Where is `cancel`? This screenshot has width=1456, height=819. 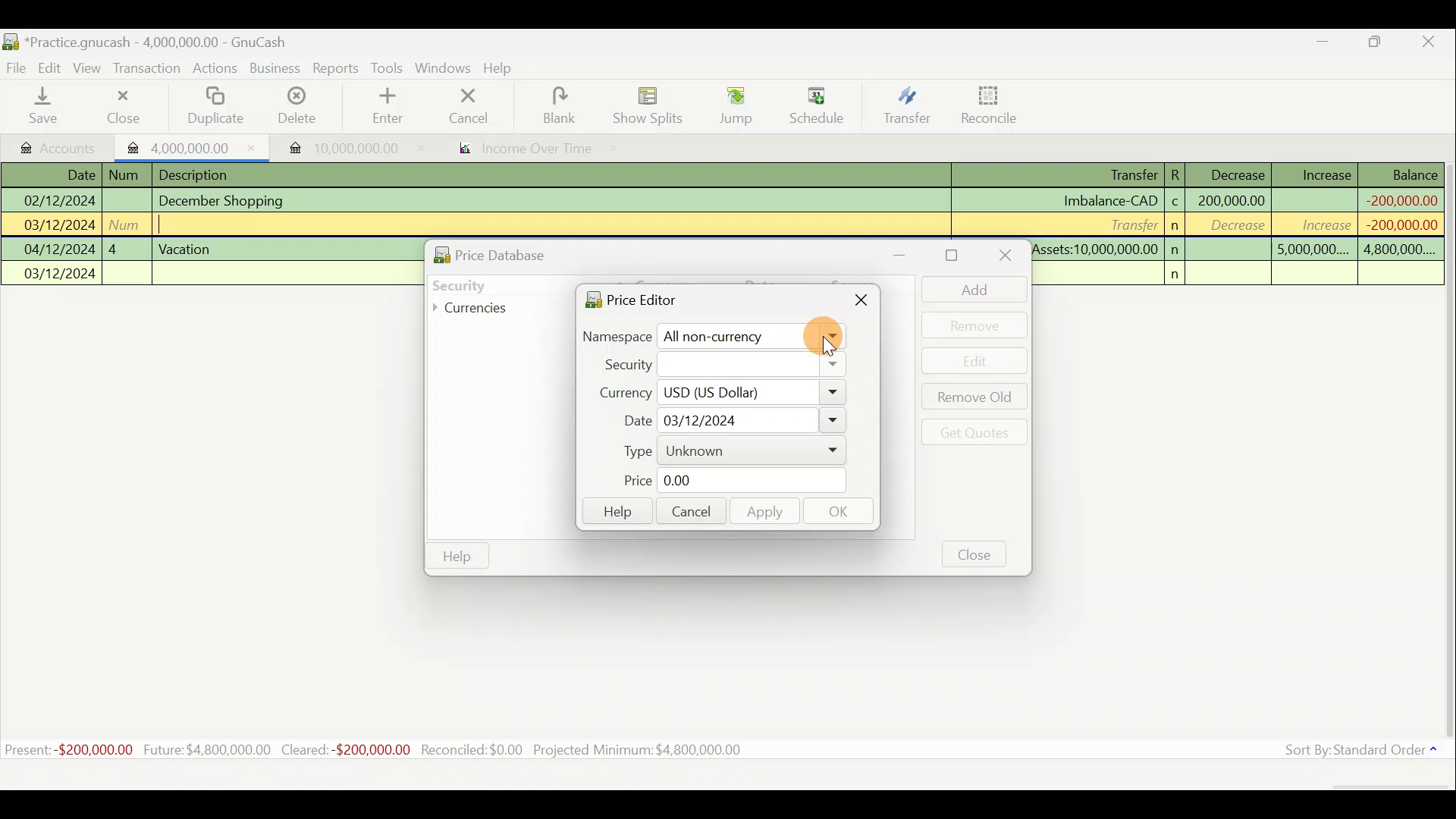
cancel is located at coordinates (485, 108).